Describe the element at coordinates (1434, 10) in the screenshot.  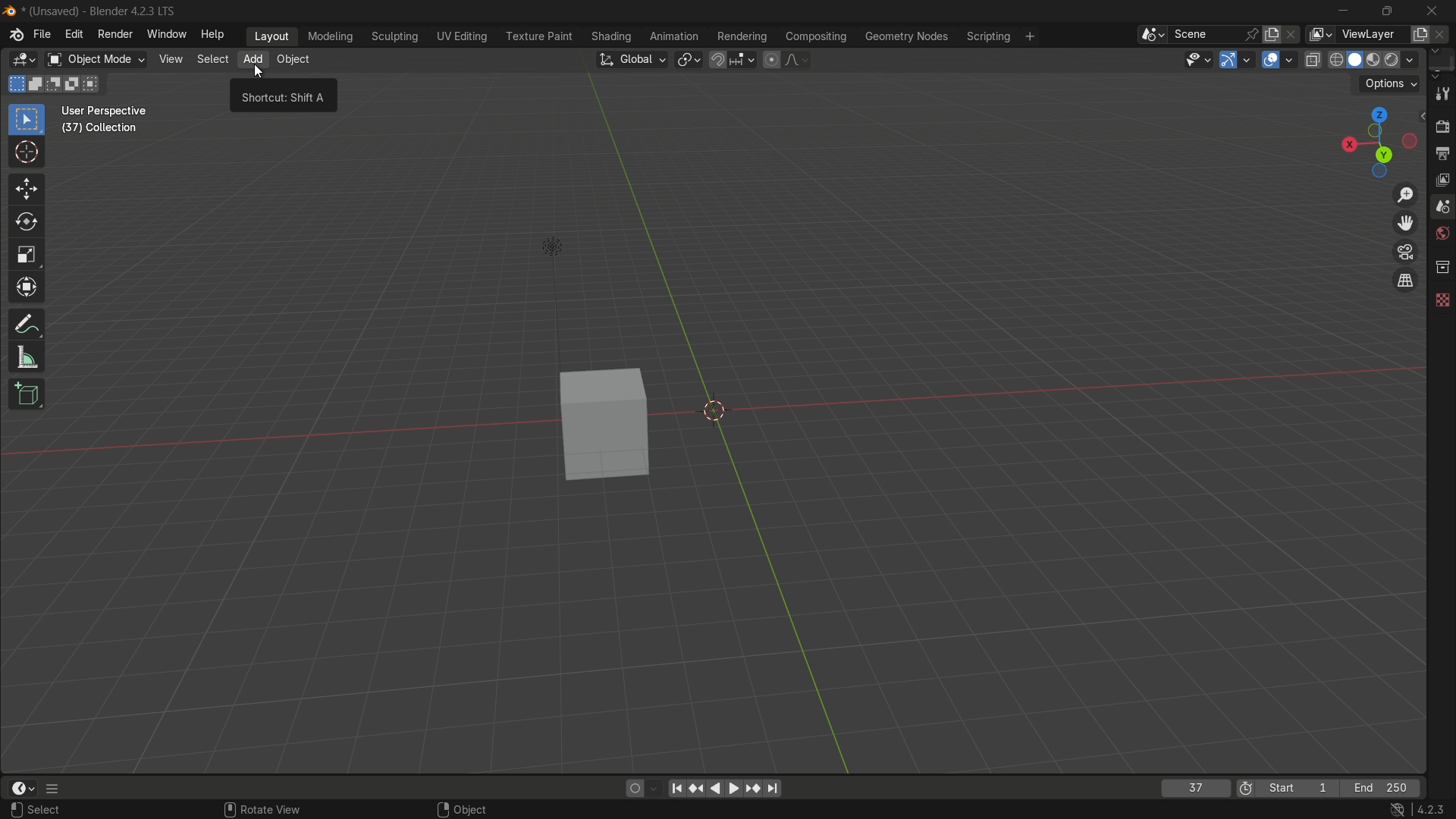
I see `close app` at that location.